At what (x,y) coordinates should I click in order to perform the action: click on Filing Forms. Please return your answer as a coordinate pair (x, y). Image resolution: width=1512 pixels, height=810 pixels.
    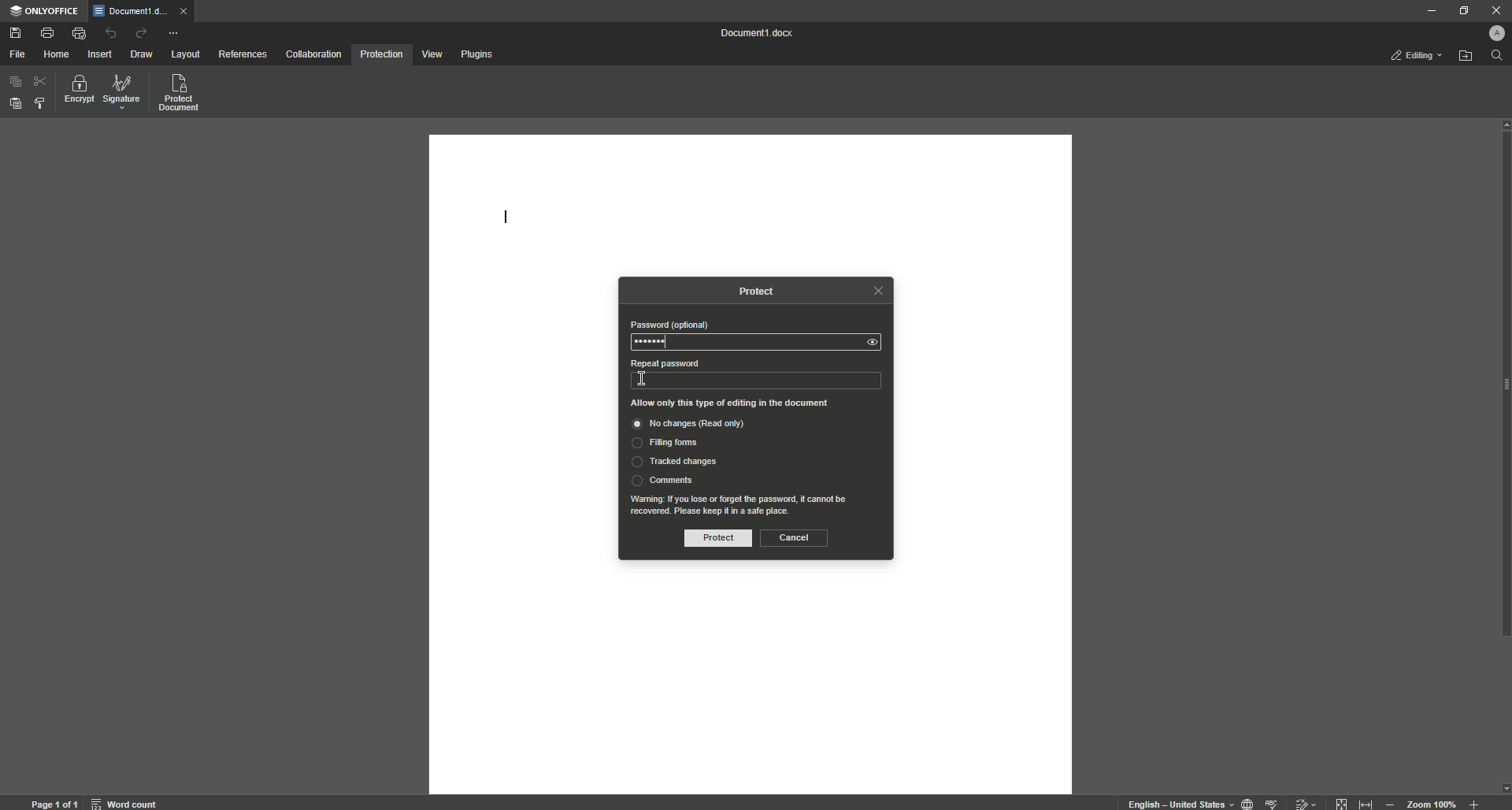
    Looking at the image, I should click on (669, 444).